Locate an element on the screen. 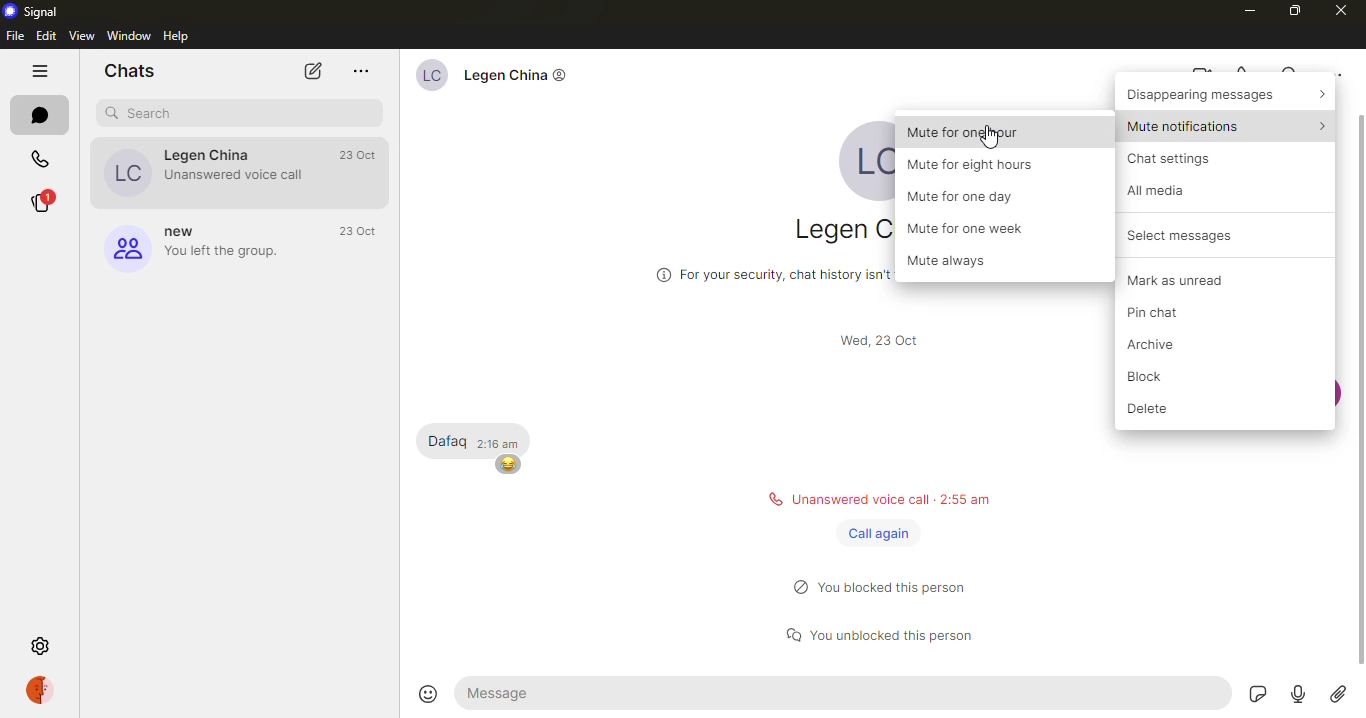 The image size is (1366, 718). select messages is located at coordinates (1190, 235).